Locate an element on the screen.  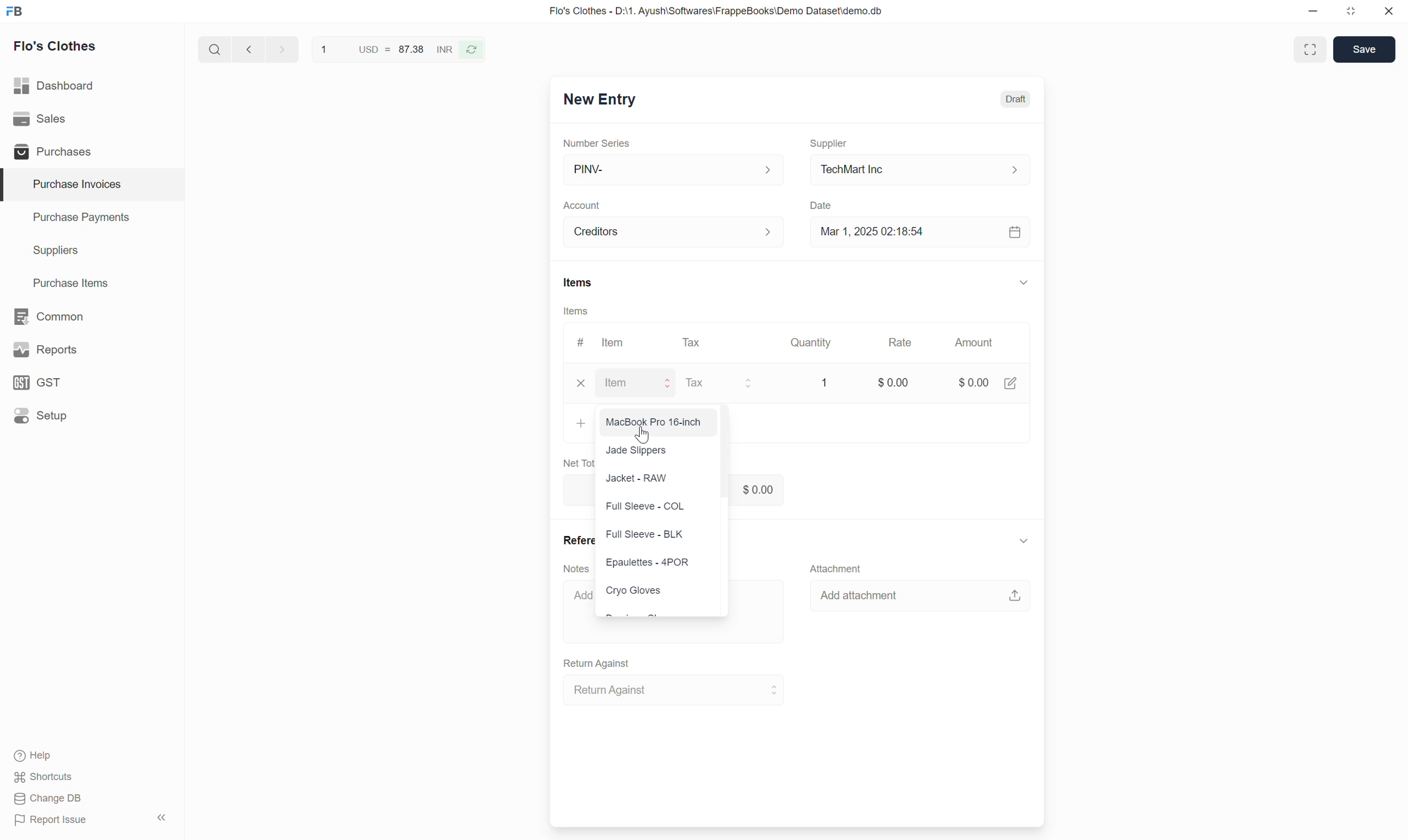
Full Sleeve - BLK is located at coordinates (644, 534).